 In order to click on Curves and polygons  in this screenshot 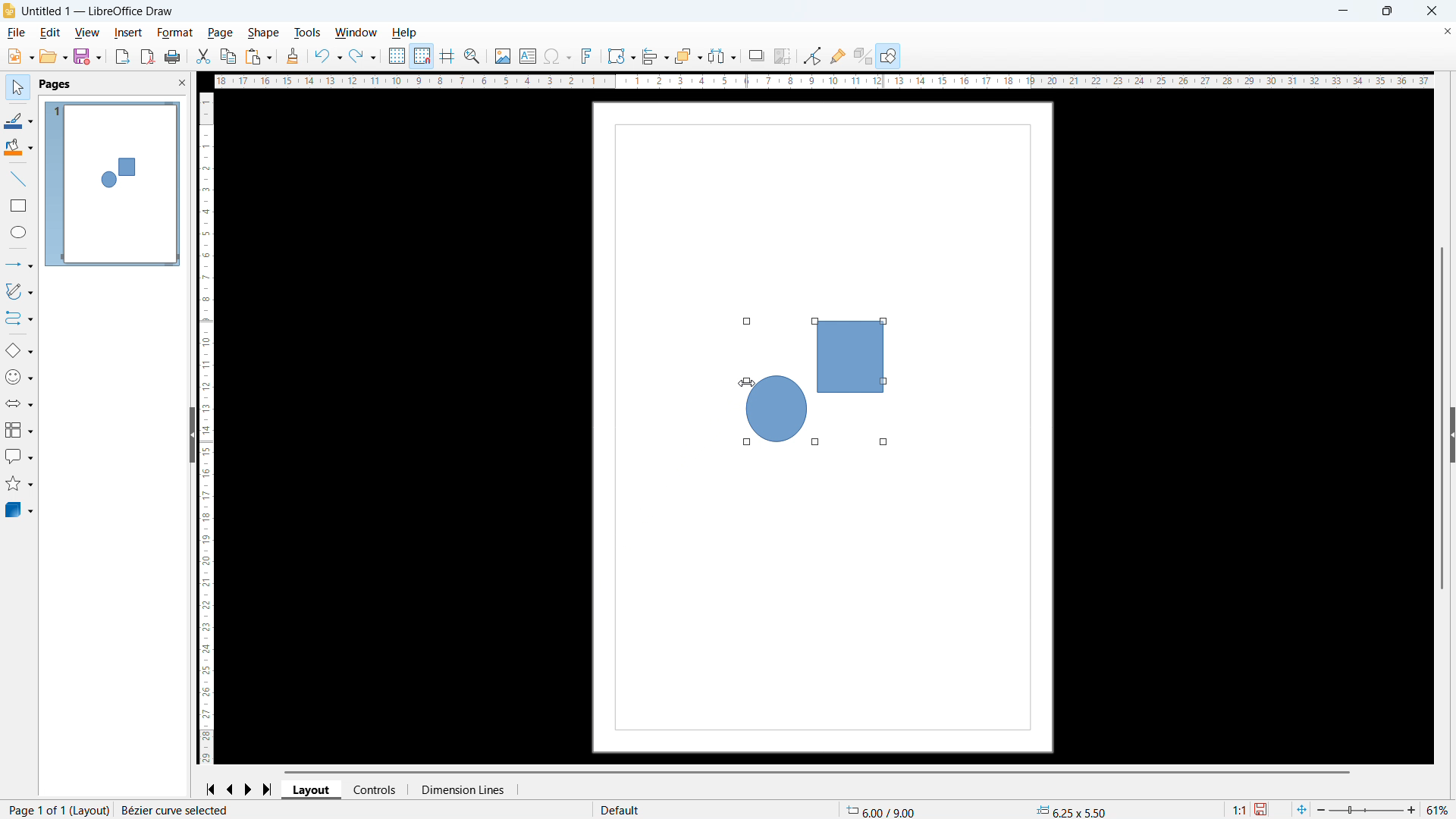, I will do `click(20, 291)`.